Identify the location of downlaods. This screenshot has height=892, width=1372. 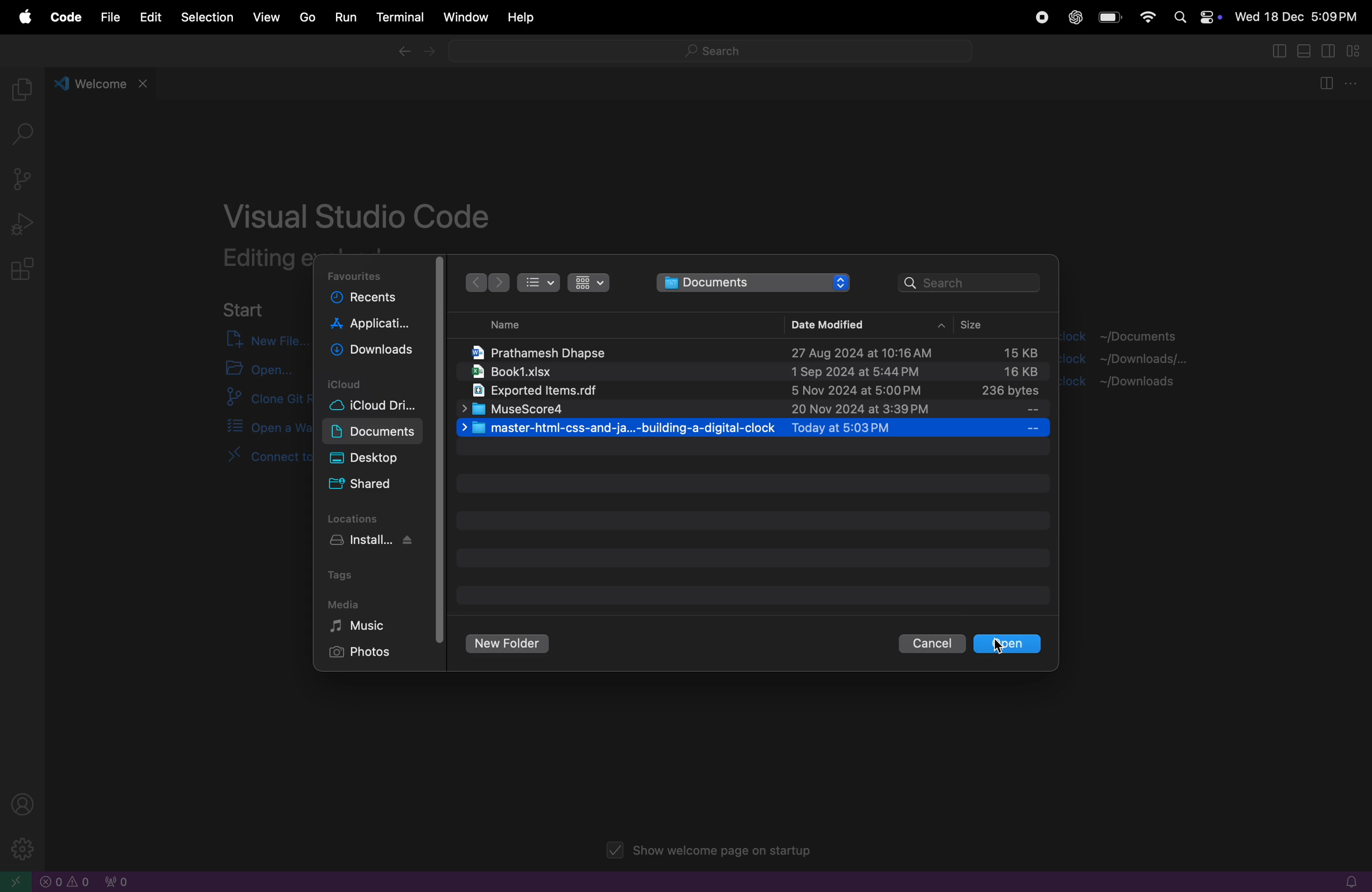
(375, 352).